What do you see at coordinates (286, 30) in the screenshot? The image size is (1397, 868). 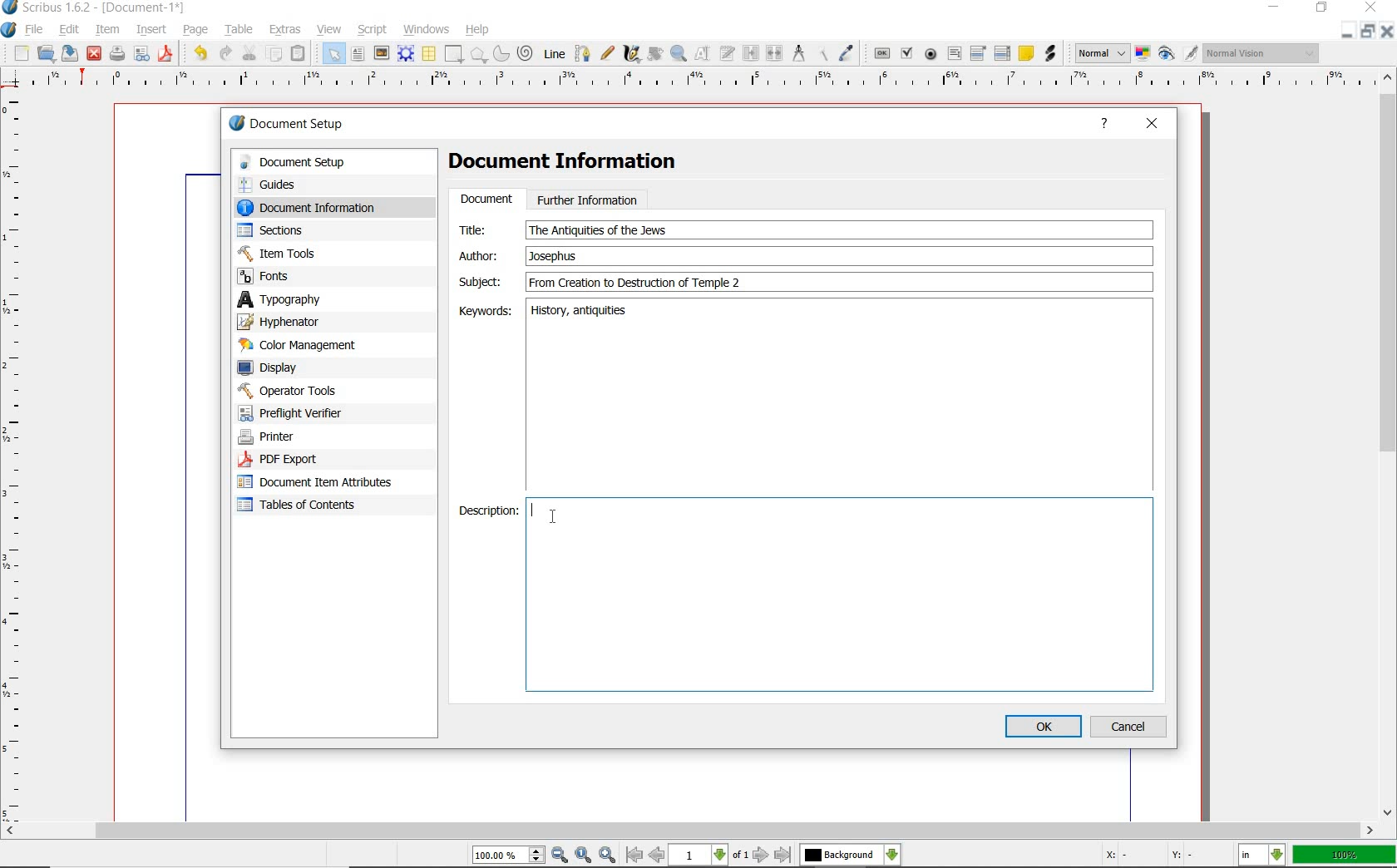 I see `extras` at bounding box center [286, 30].